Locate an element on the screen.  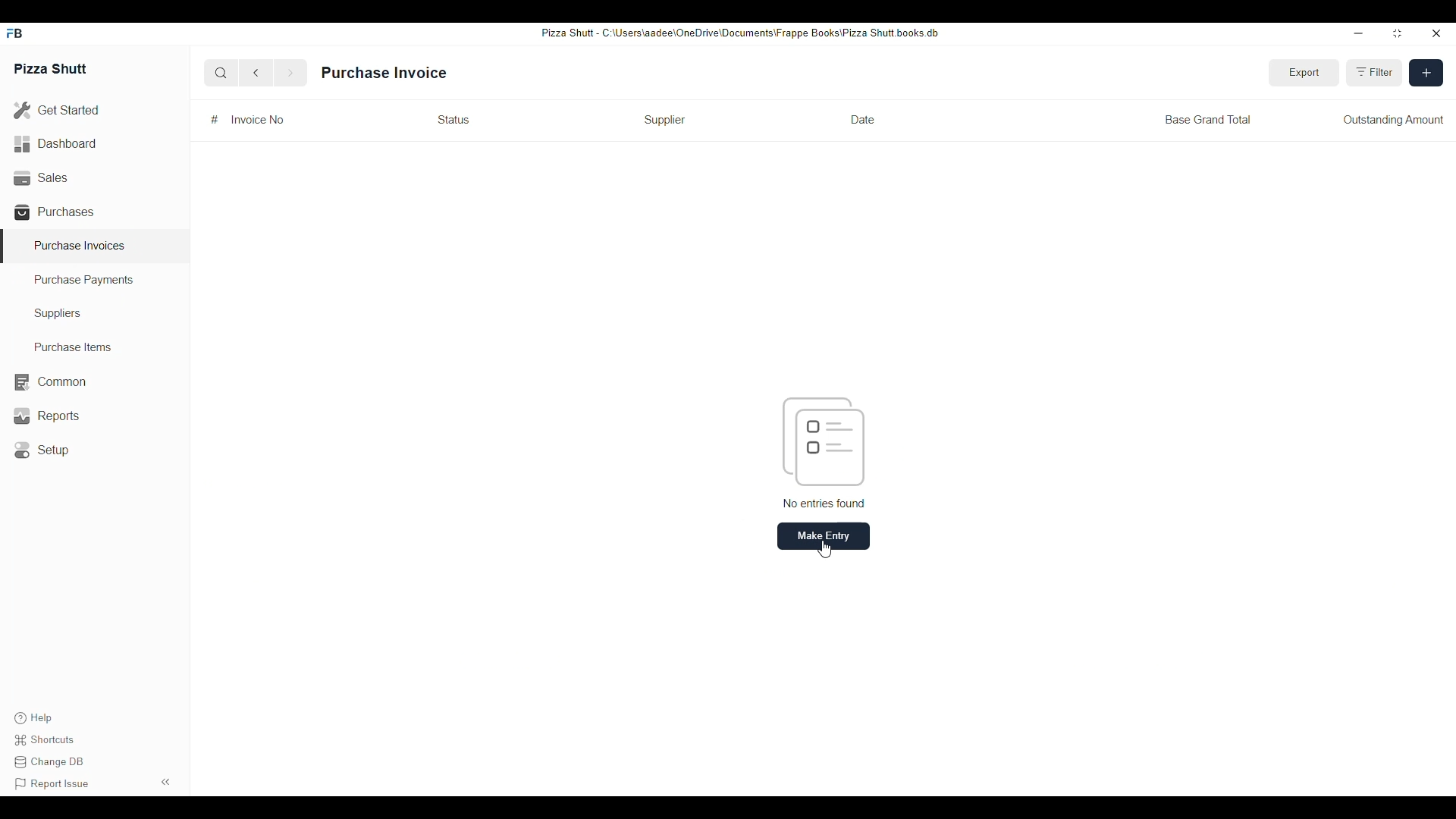
close is located at coordinates (1437, 34).